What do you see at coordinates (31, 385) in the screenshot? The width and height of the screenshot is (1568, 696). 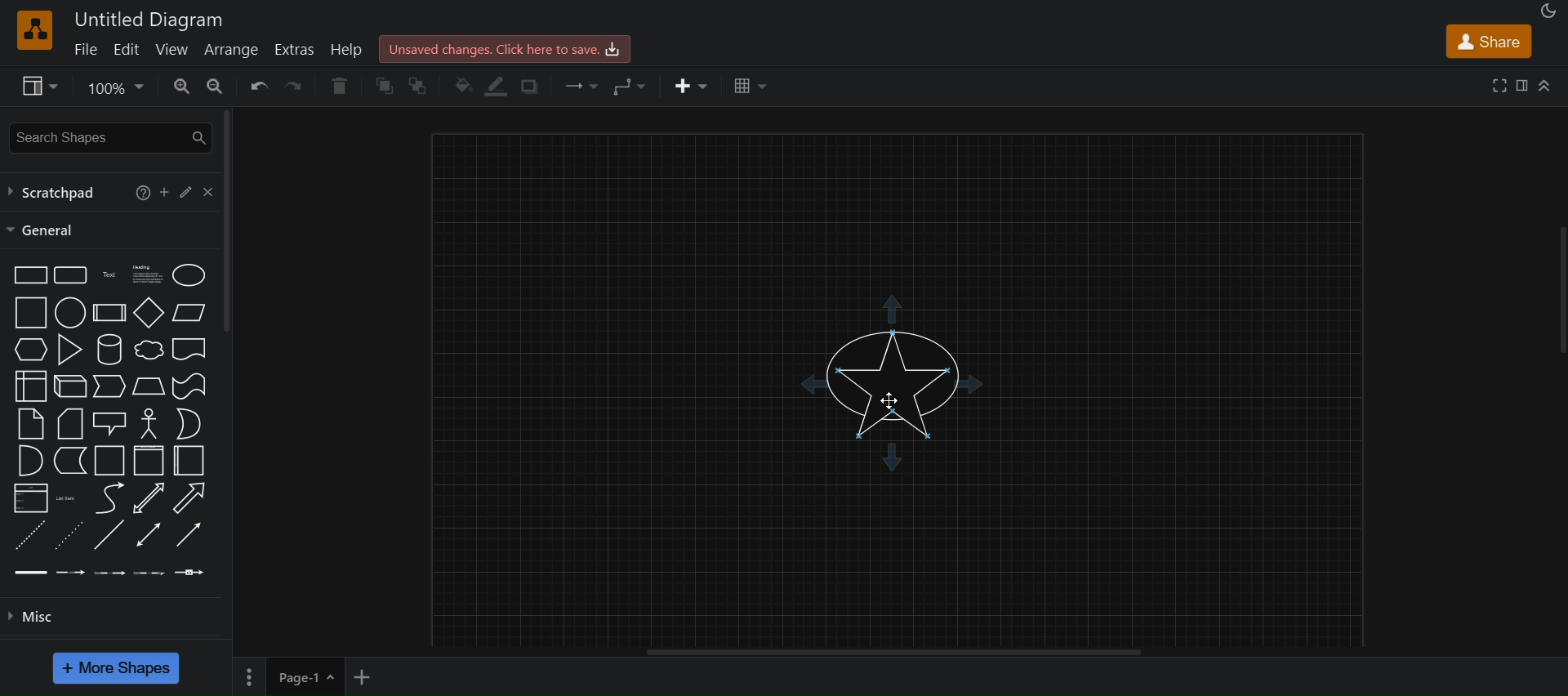 I see `internal storage` at bounding box center [31, 385].